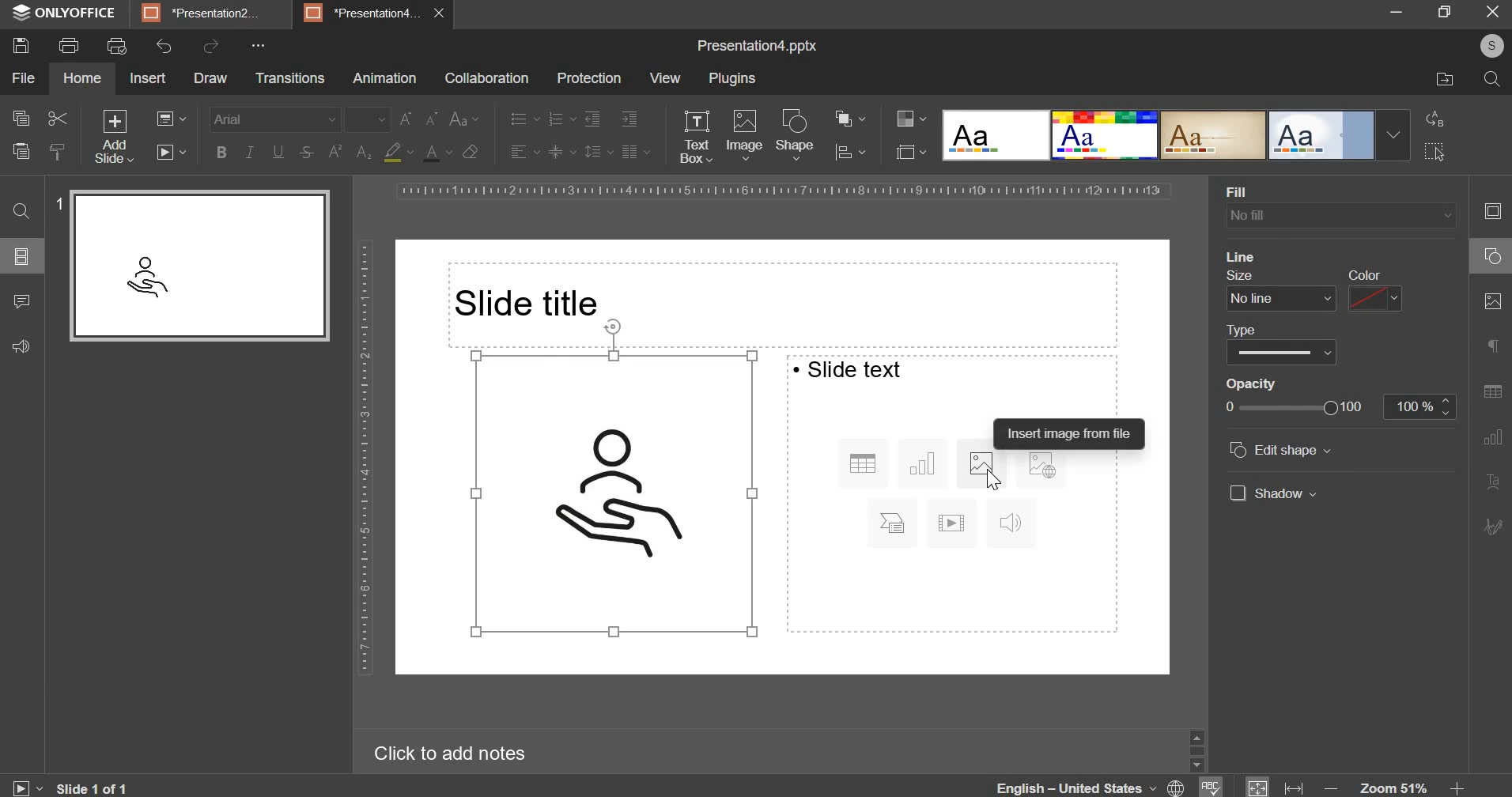  What do you see at coordinates (22, 301) in the screenshot?
I see `comments` at bounding box center [22, 301].